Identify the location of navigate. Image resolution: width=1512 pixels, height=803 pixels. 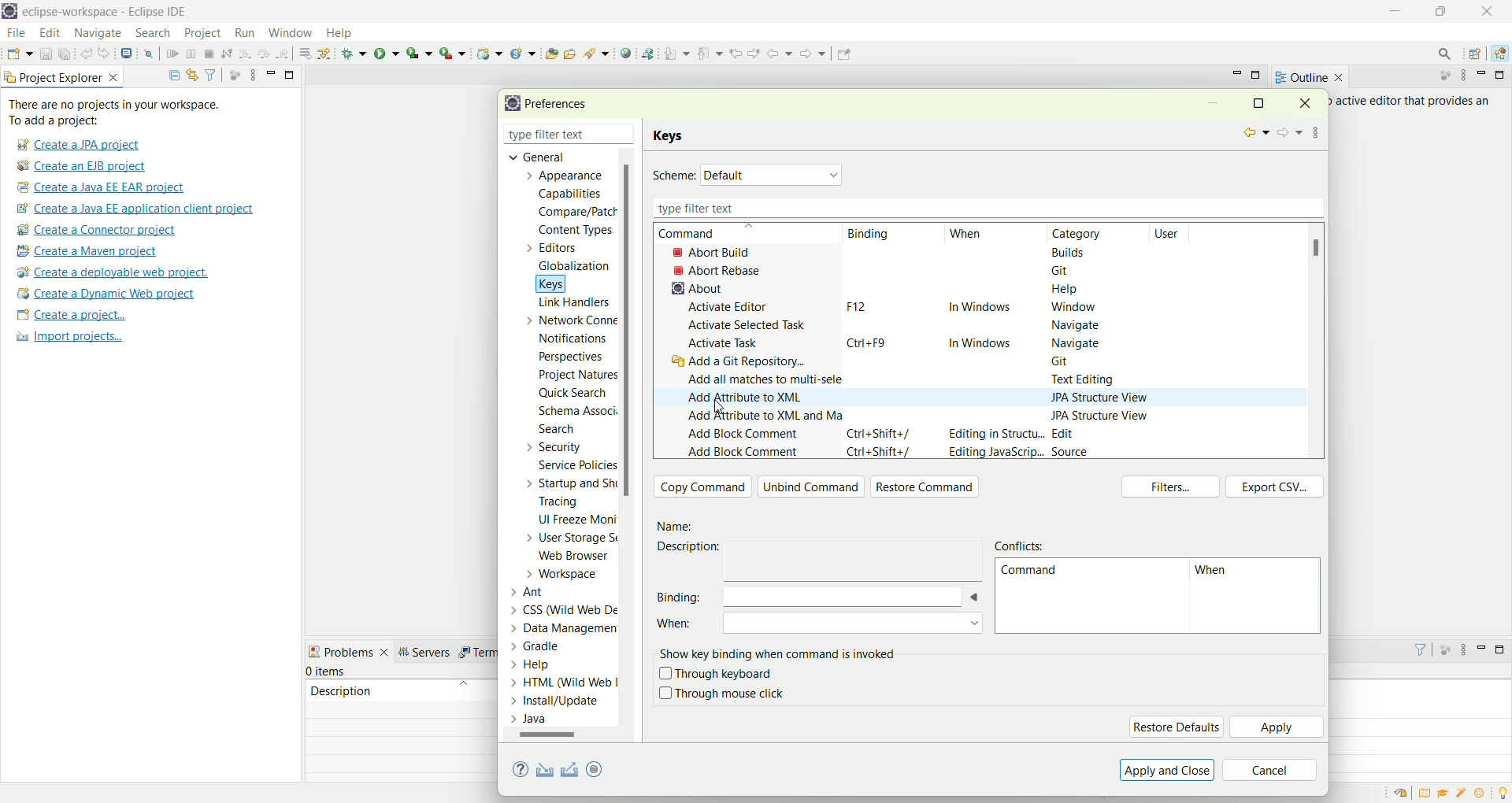
(1077, 342).